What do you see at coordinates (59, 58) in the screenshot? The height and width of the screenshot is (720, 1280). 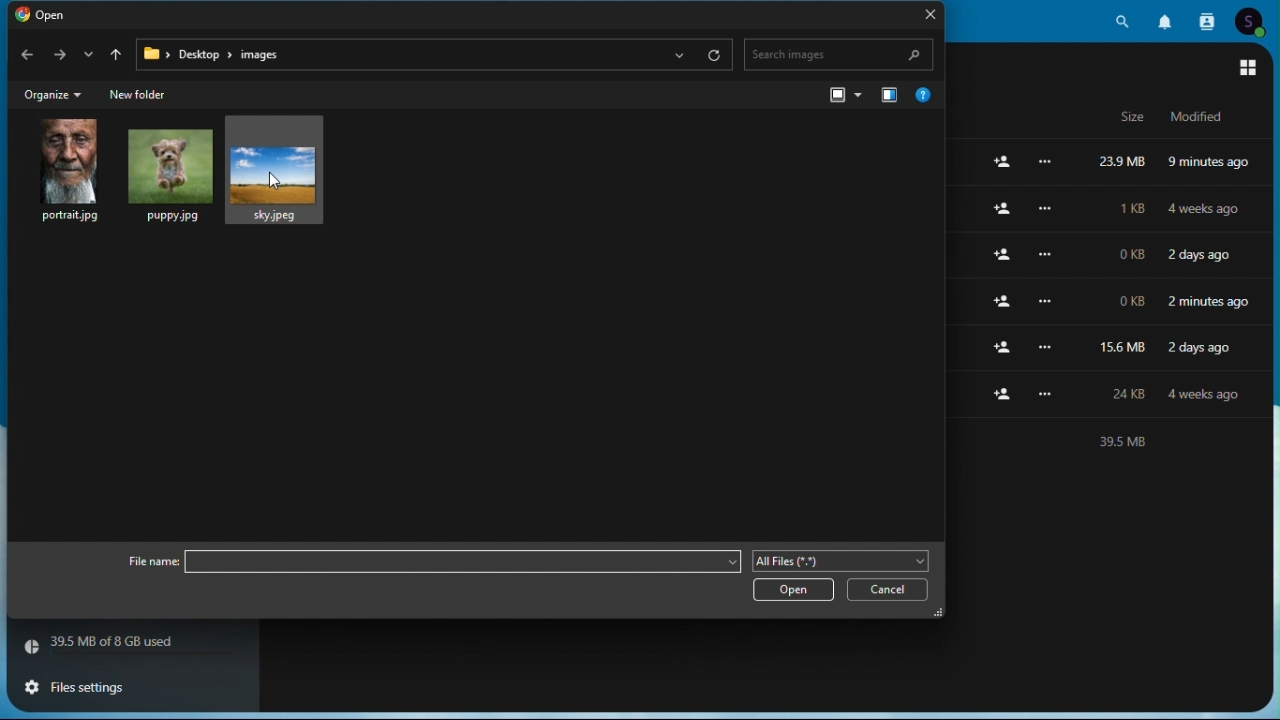 I see `FREE TRIAL EXPIREDI'm back forward` at bounding box center [59, 58].